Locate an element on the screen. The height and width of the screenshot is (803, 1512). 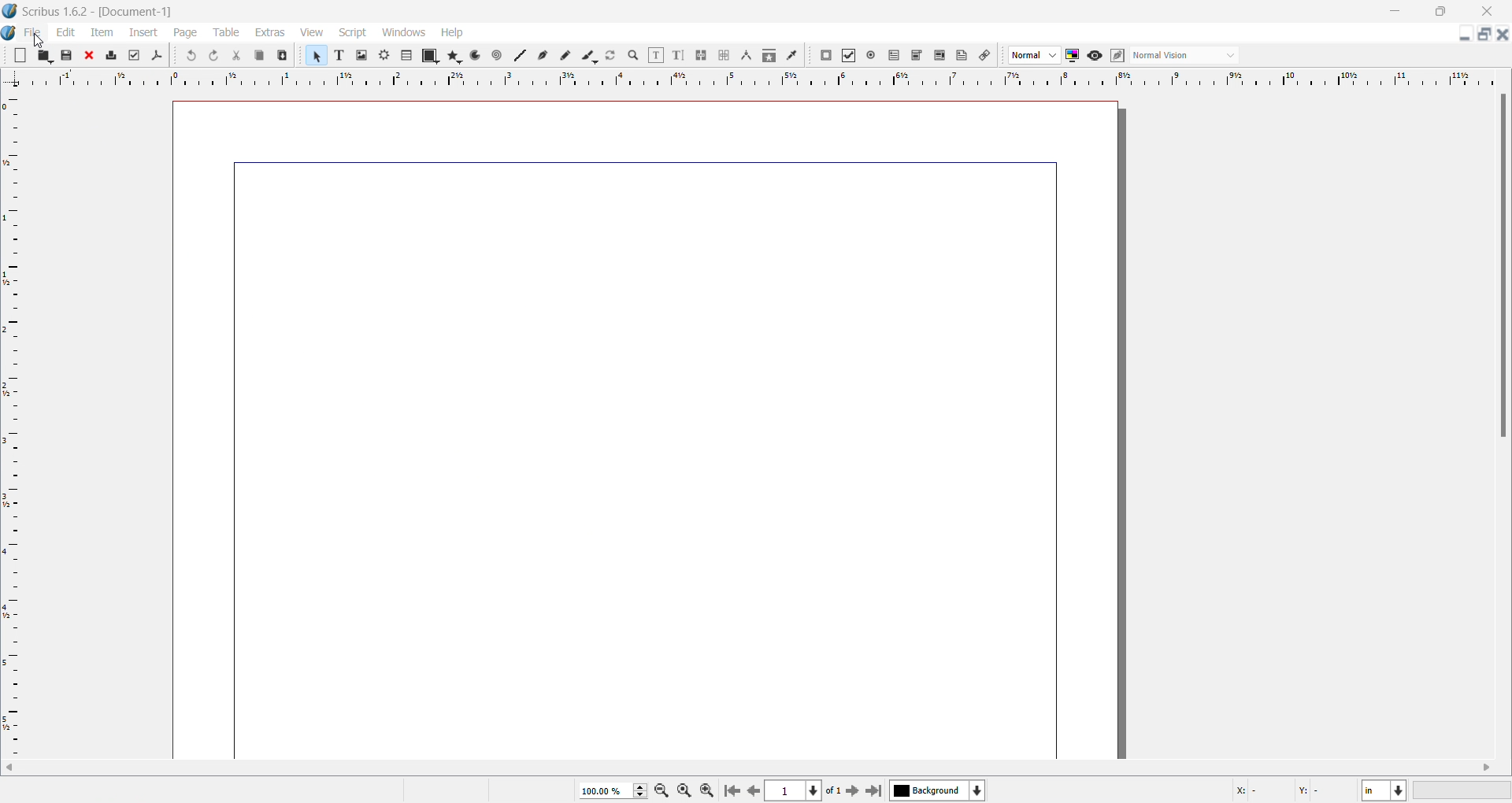
icon is located at coordinates (769, 58).